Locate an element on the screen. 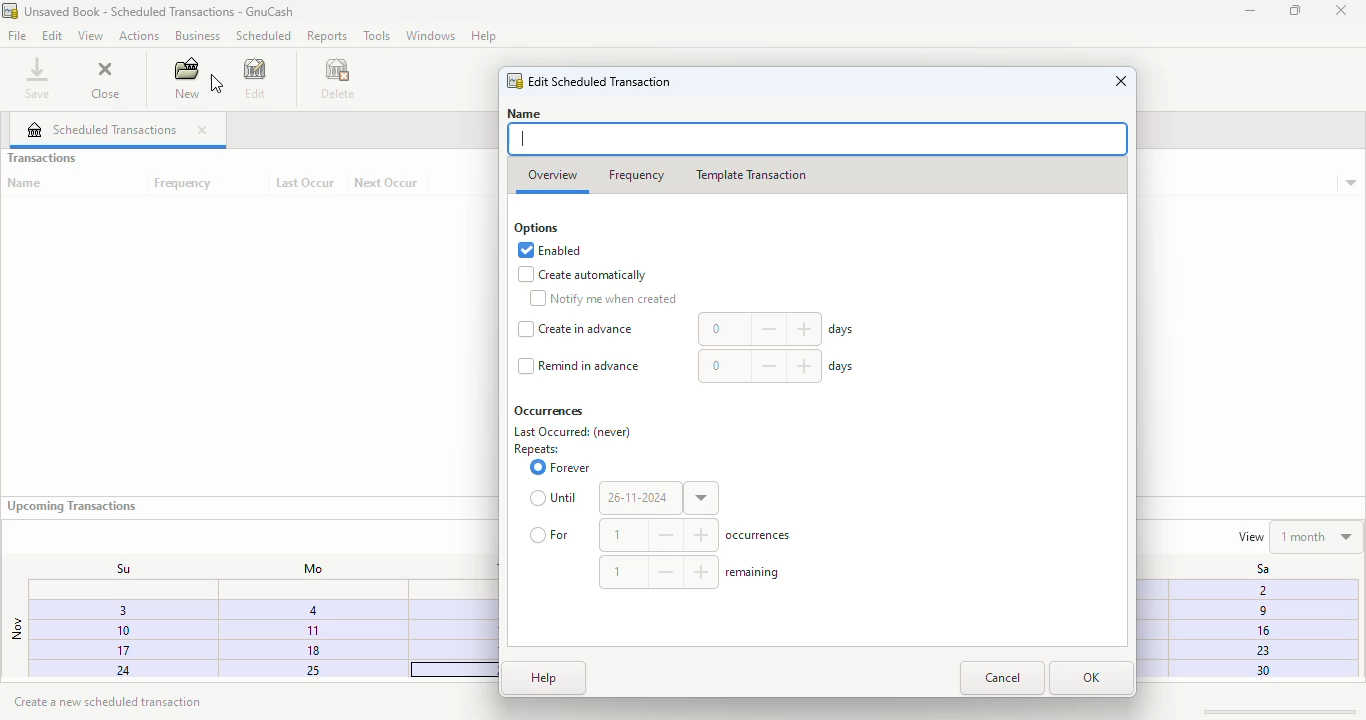  repeats:  is located at coordinates (536, 450).